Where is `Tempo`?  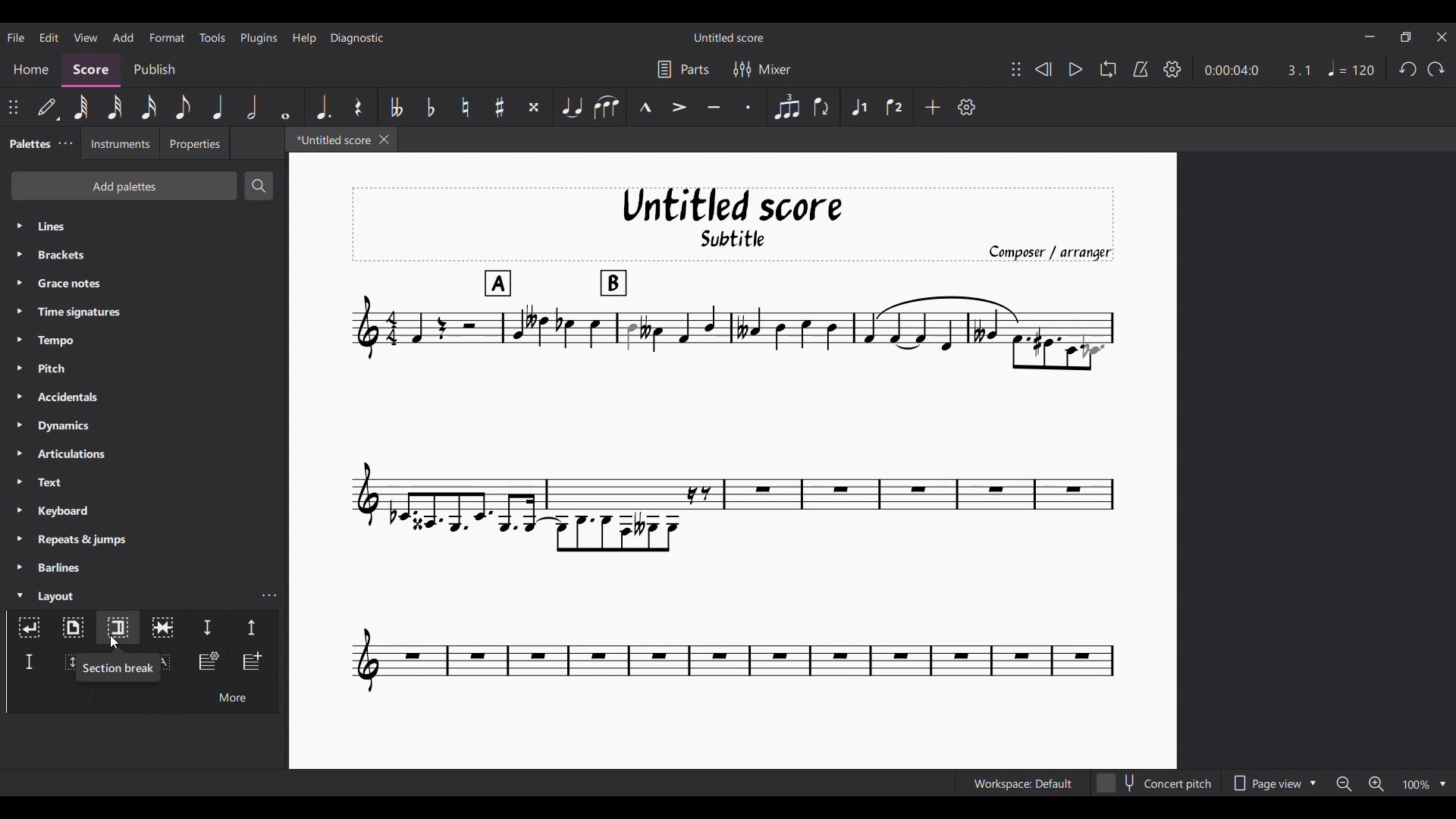
Tempo is located at coordinates (144, 340).